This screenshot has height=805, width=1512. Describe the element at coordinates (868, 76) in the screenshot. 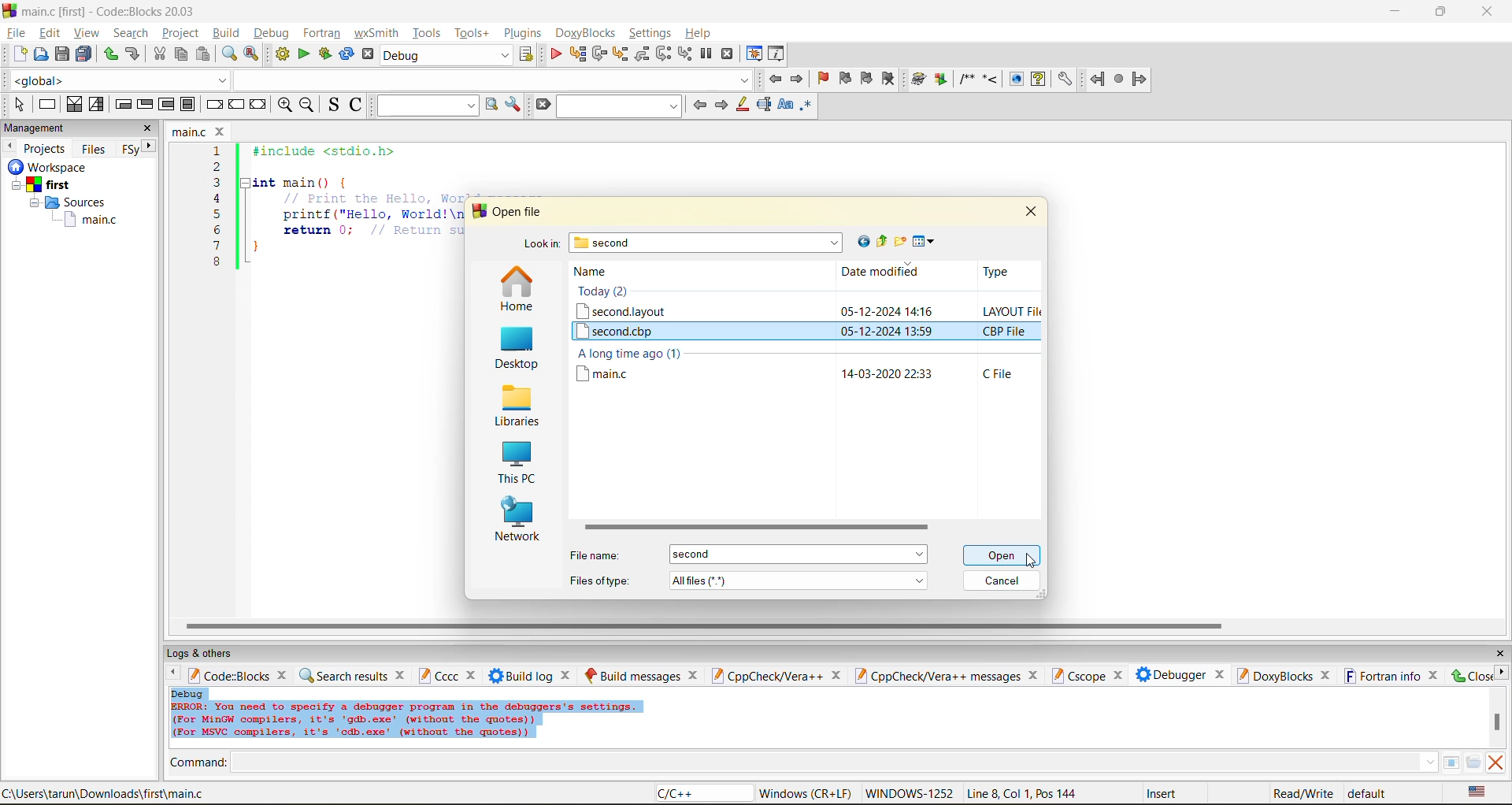

I see `next bookmark` at that location.